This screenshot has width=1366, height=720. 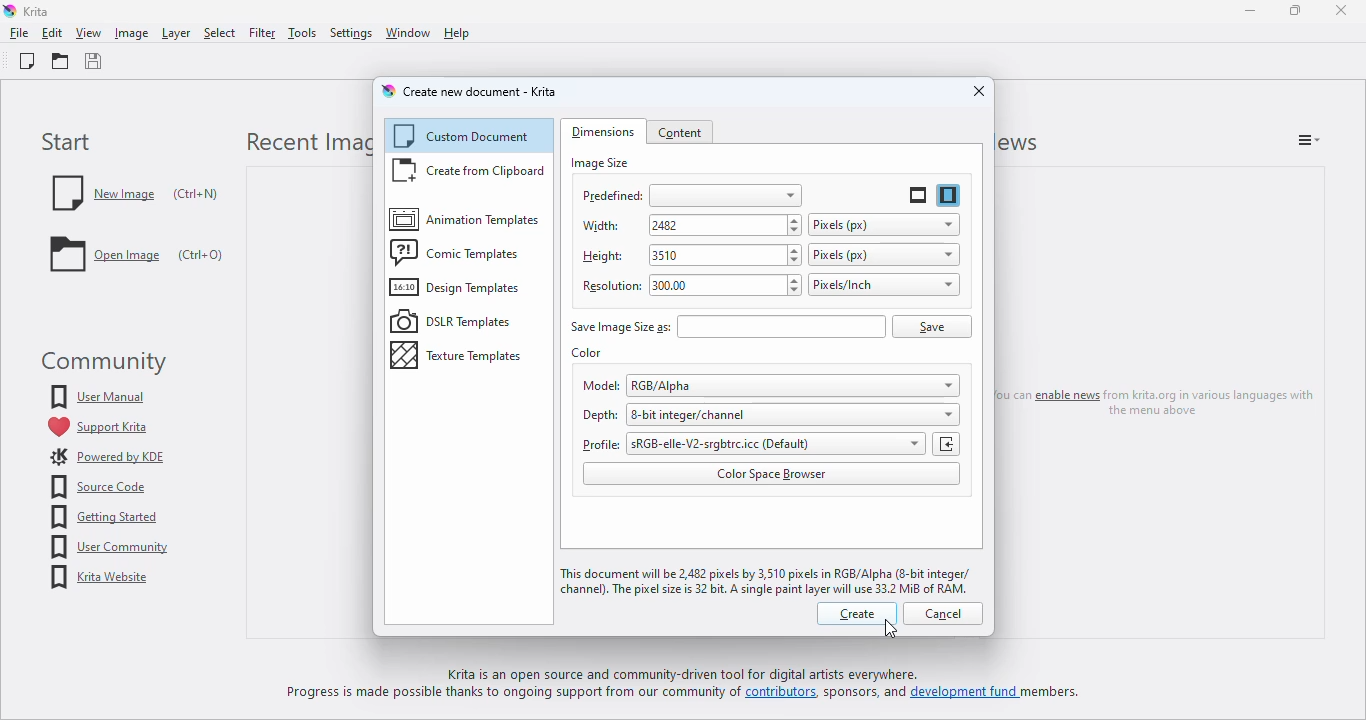 What do you see at coordinates (100, 487) in the screenshot?
I see `source code` at bounding box center [100, 487].